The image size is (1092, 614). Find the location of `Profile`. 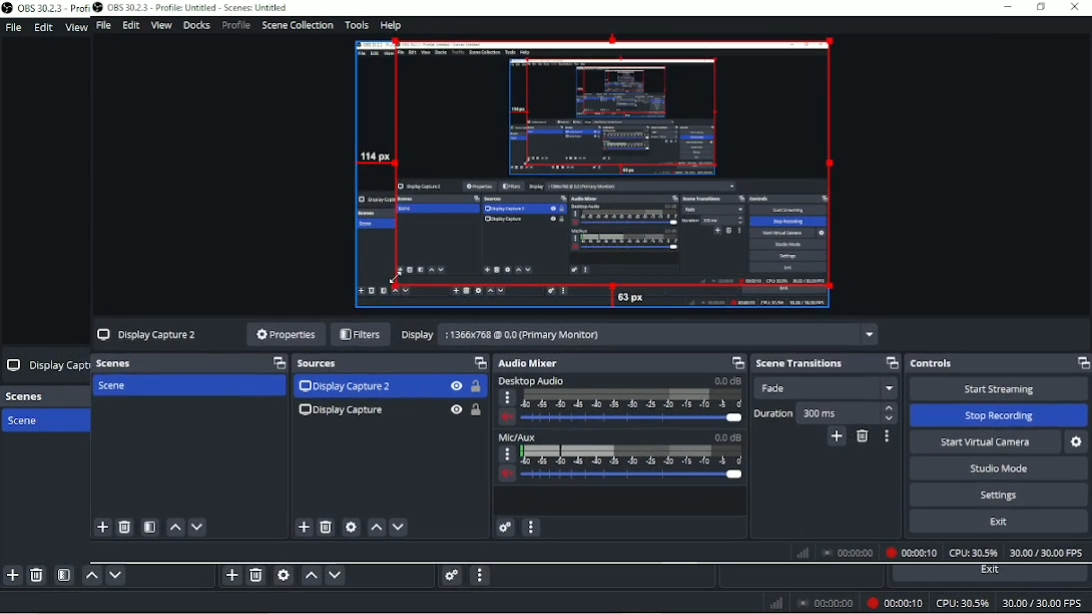

Profile is located at coordinates (239, 25).